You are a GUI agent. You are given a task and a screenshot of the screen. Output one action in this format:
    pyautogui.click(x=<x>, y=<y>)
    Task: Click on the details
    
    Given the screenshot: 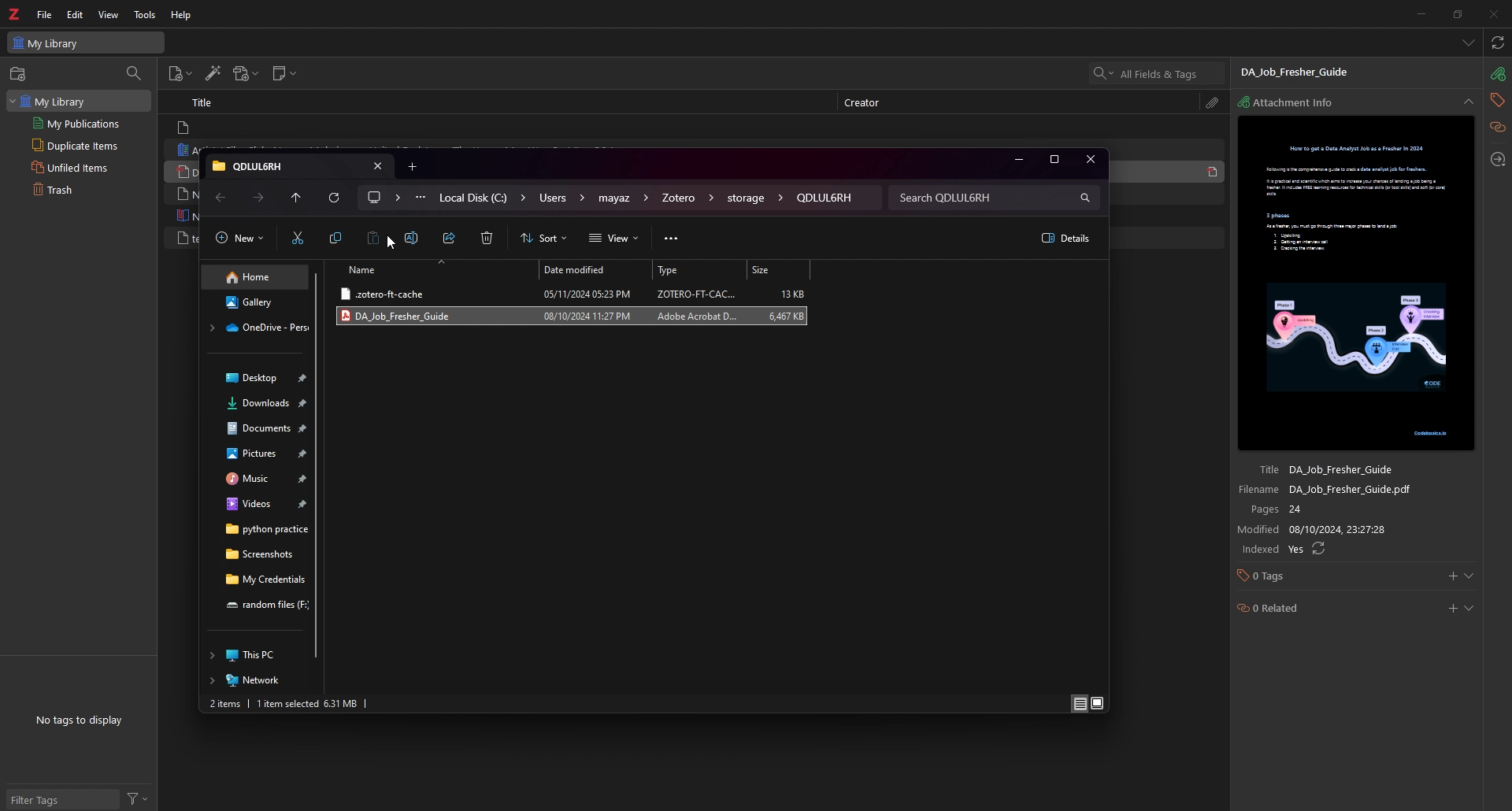 What is the action you would take?
    pyautogui.click(x=1062, y=238)
    